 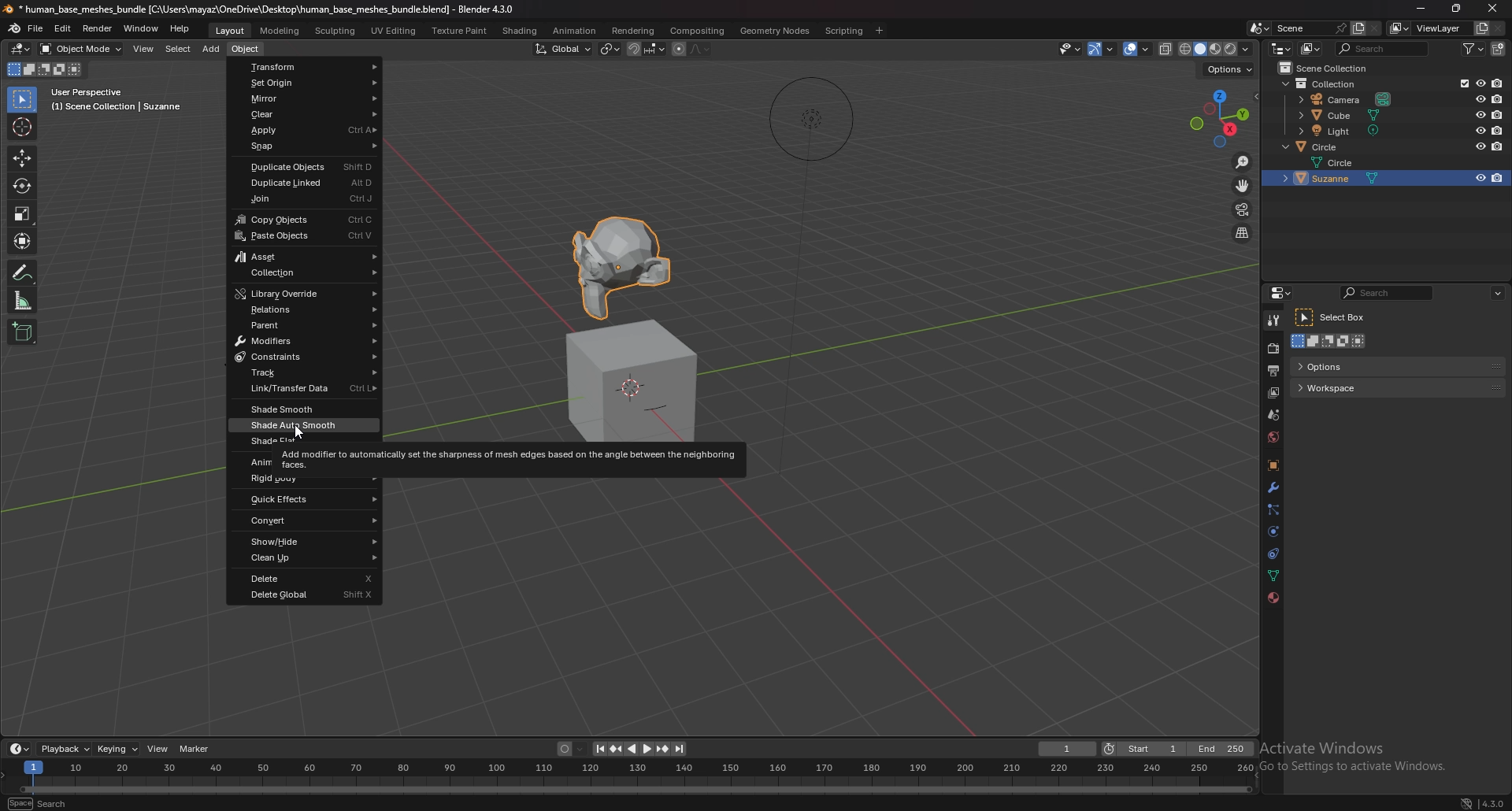 What do you see at coordinates (257, 9) in the screenshot?
I see `title` at bounding box center [257, 9].